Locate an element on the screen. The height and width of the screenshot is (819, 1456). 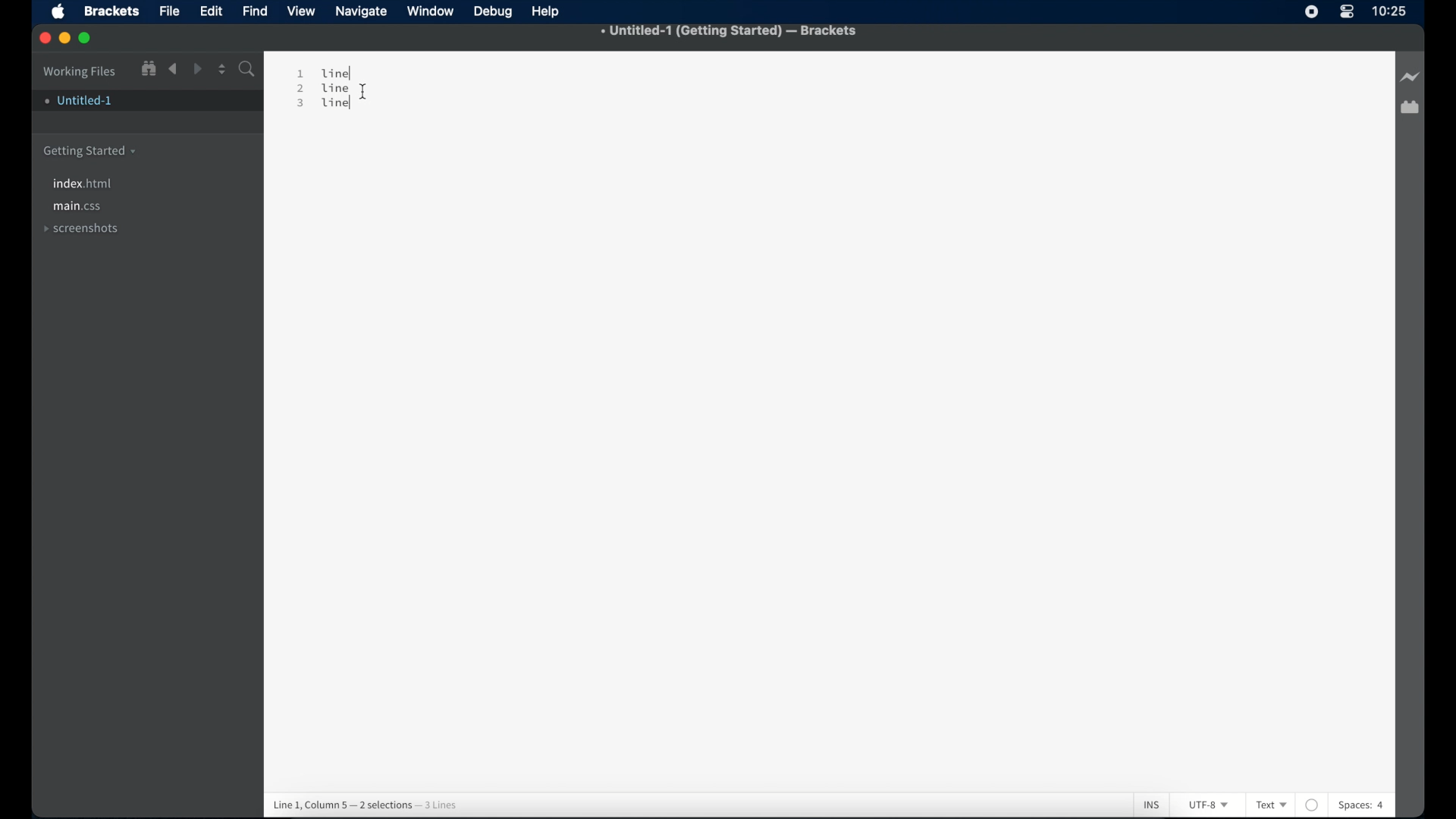
help is located at coordinates (548, 12).